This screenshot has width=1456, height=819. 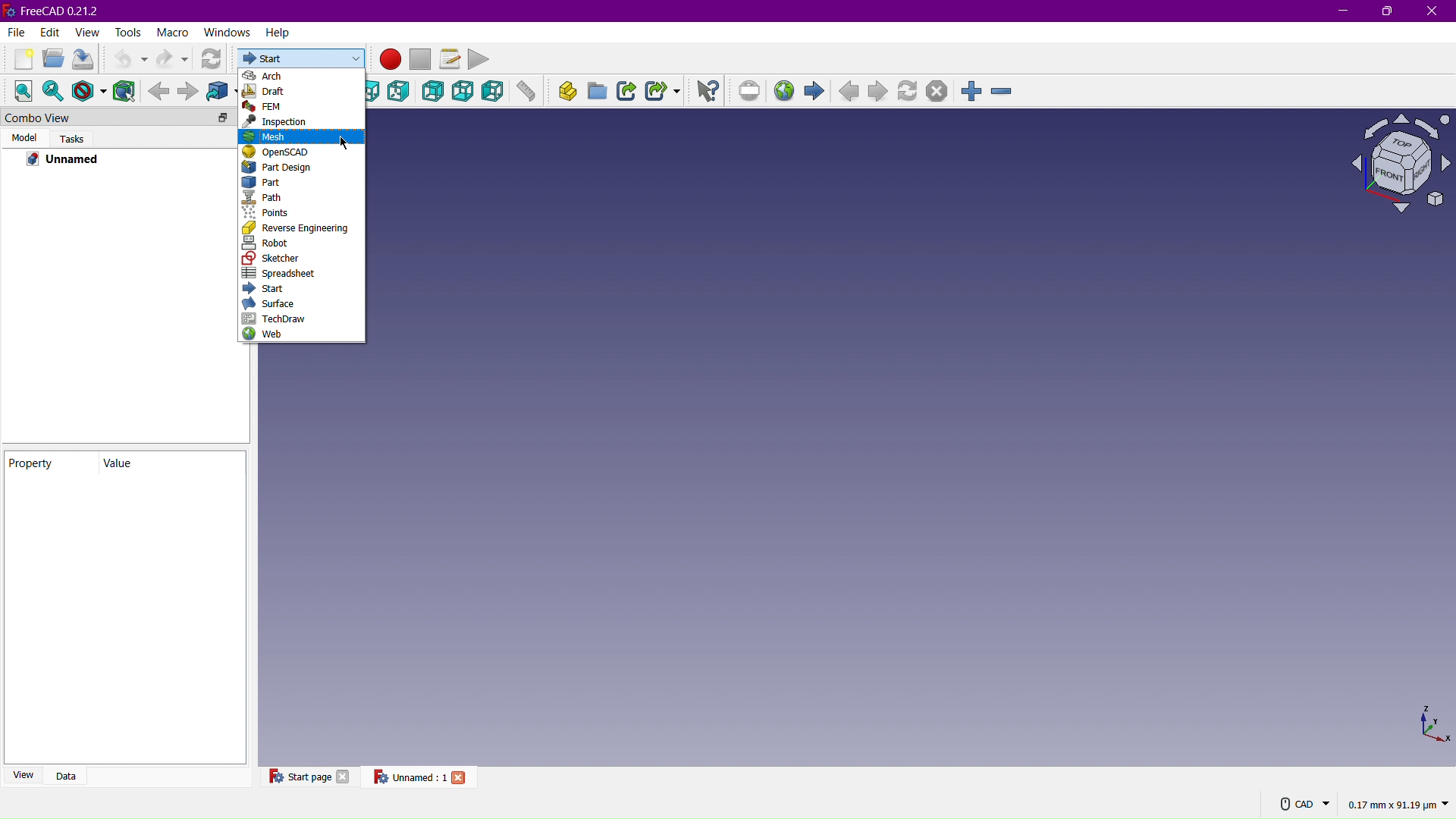 I want to click on FEM, so click(x=305, y=108).